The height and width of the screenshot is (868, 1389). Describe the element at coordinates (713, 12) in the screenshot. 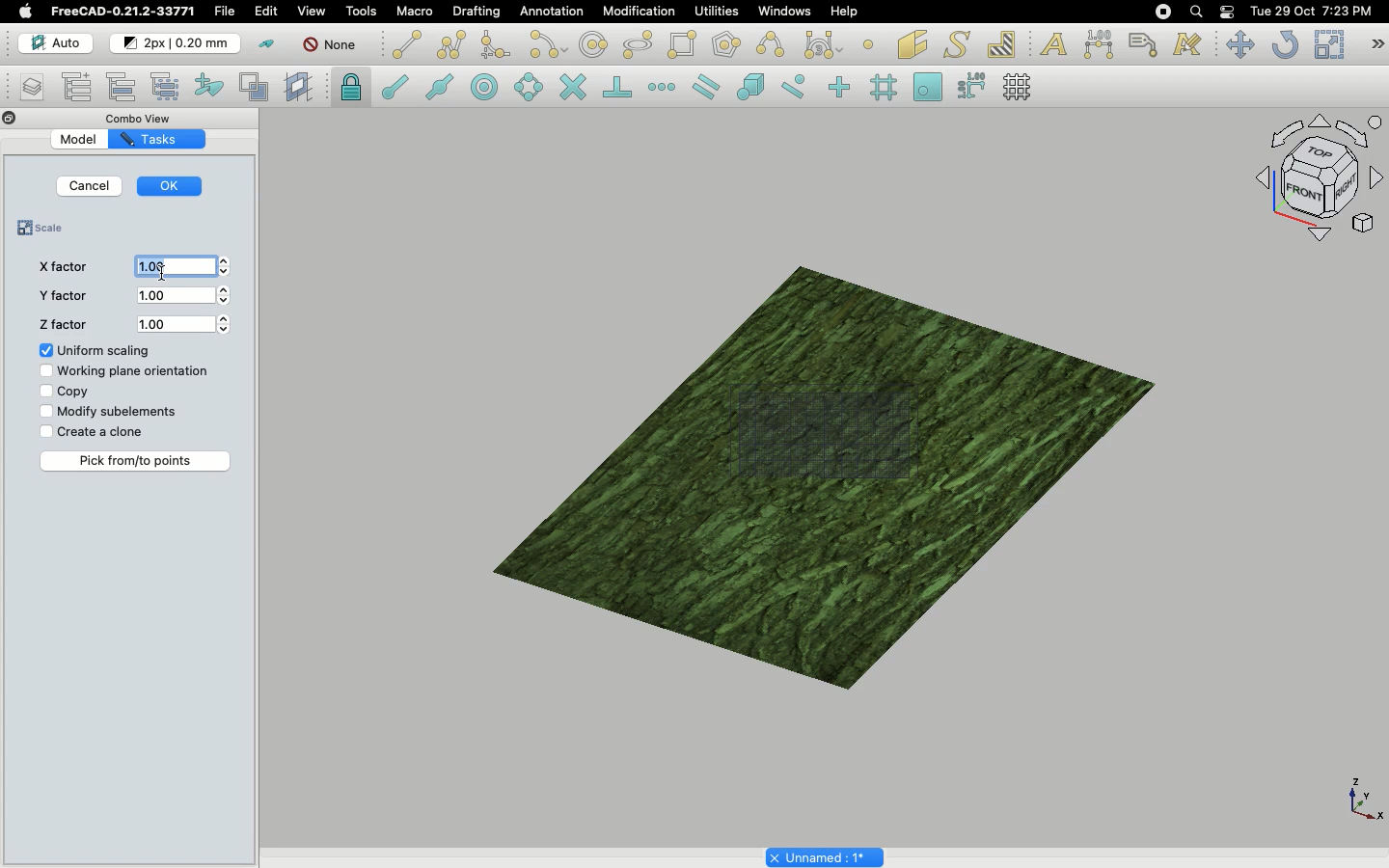

I see `Utilities` at that location.